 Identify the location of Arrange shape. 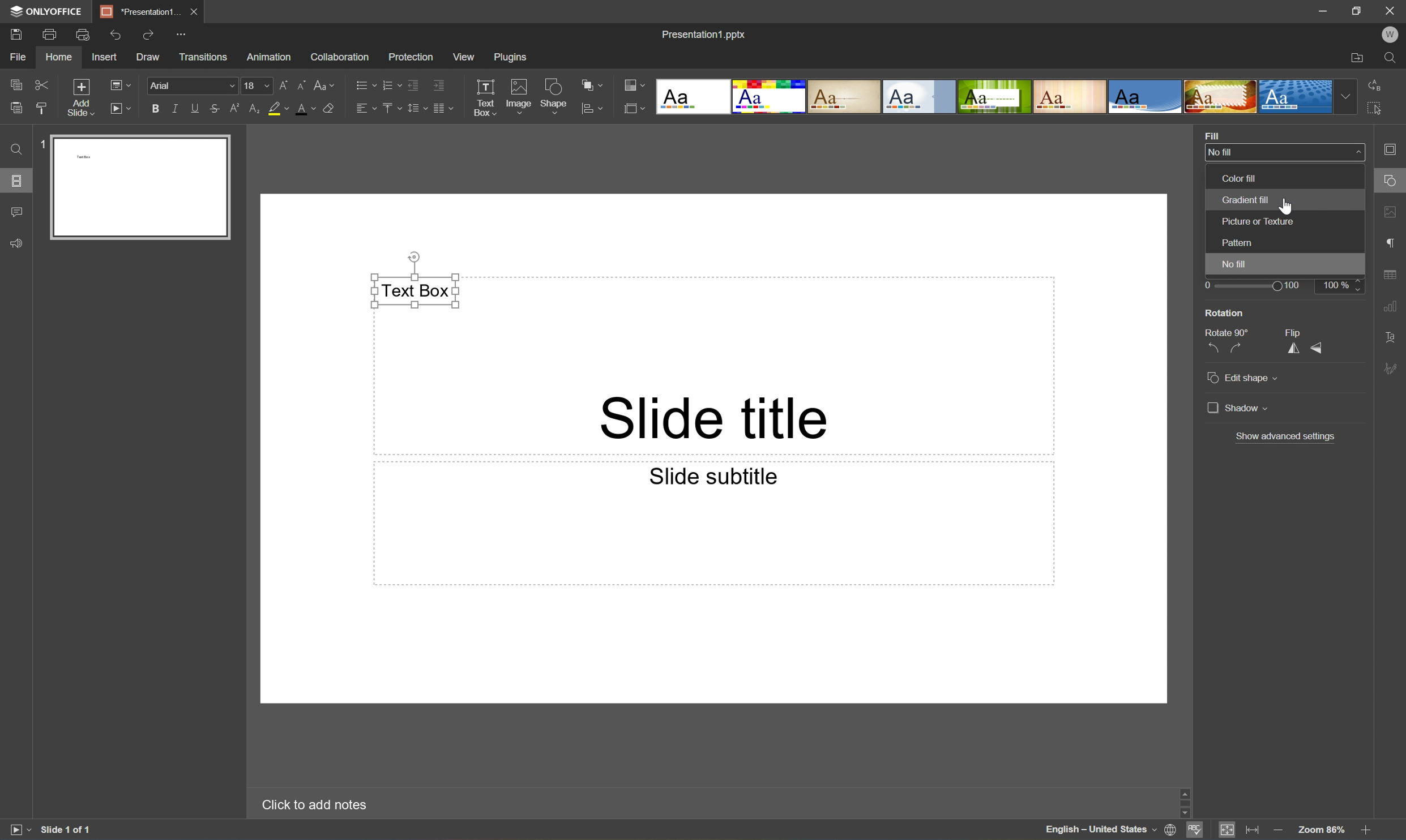
(593, 83).